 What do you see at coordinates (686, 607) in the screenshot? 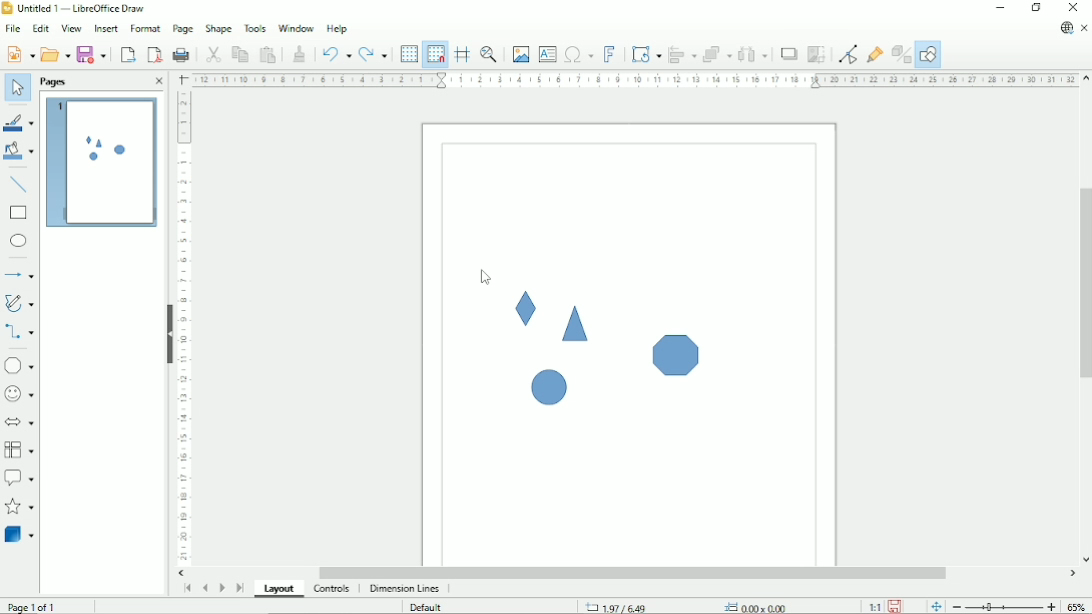
I see `Cursor position` at bounding box center [686, 607].